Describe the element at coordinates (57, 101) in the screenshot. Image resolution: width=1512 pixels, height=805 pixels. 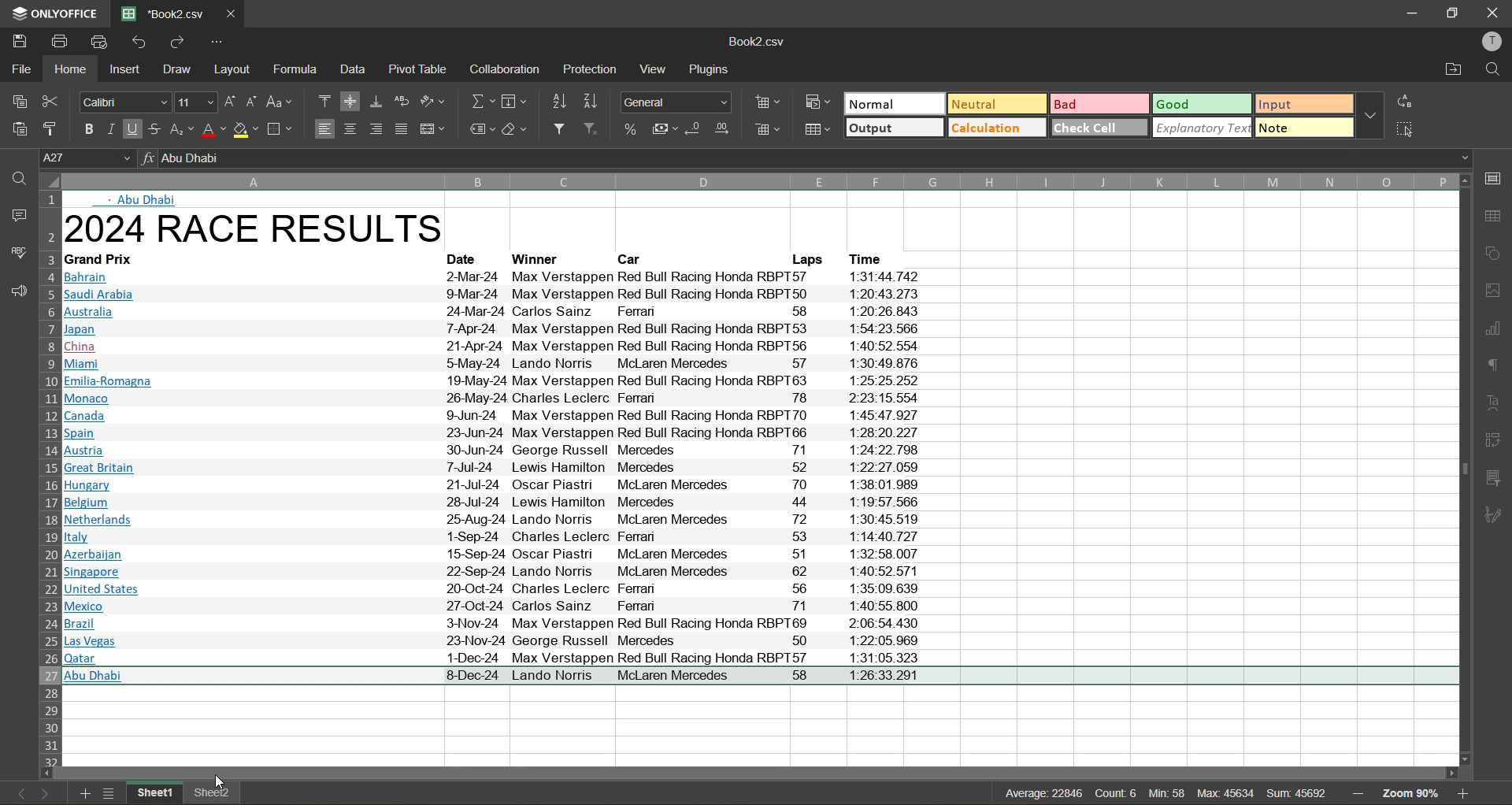
I see `cut` at that location.